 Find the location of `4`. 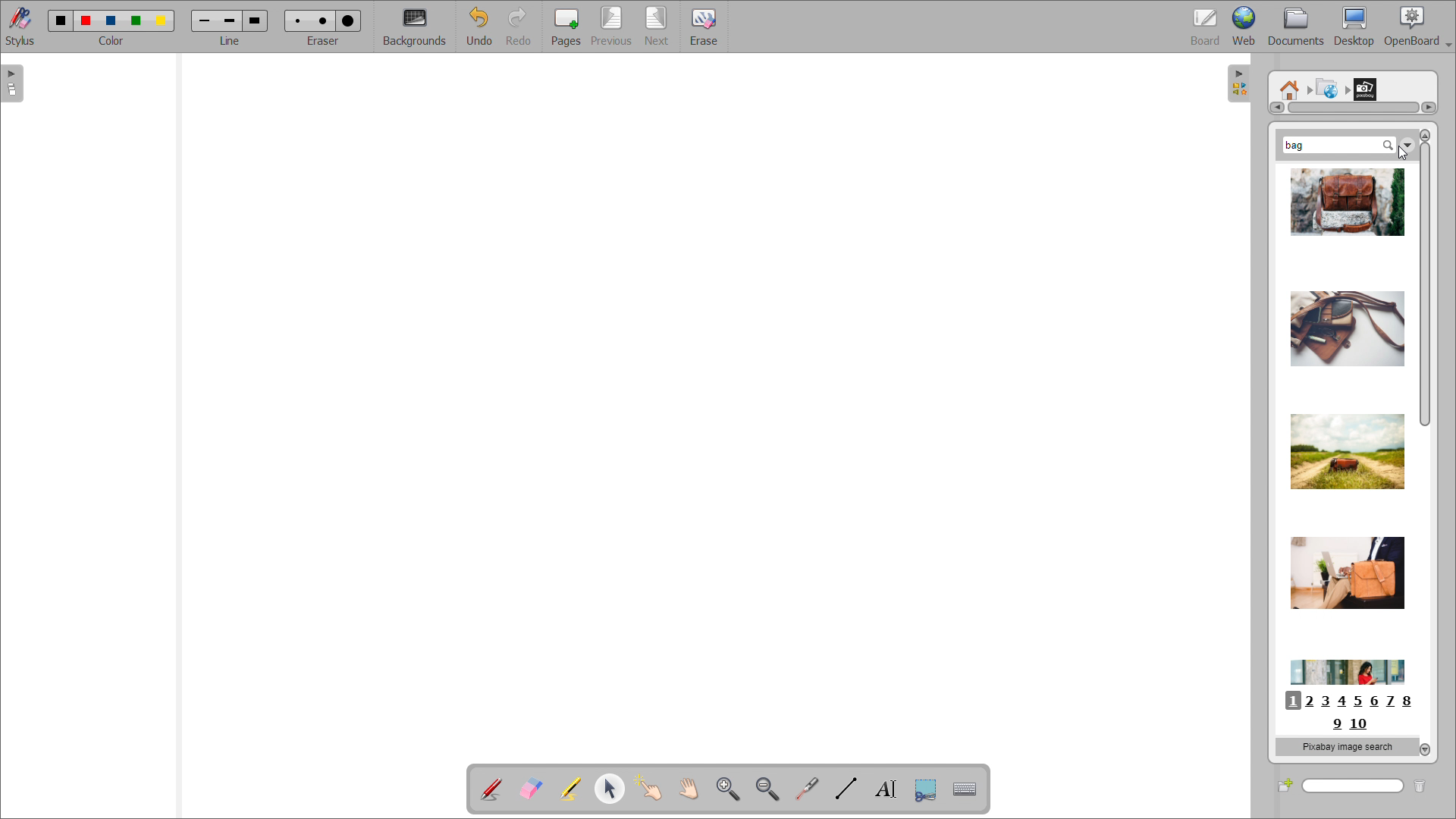

4 is located at coordinates (1346, 702).